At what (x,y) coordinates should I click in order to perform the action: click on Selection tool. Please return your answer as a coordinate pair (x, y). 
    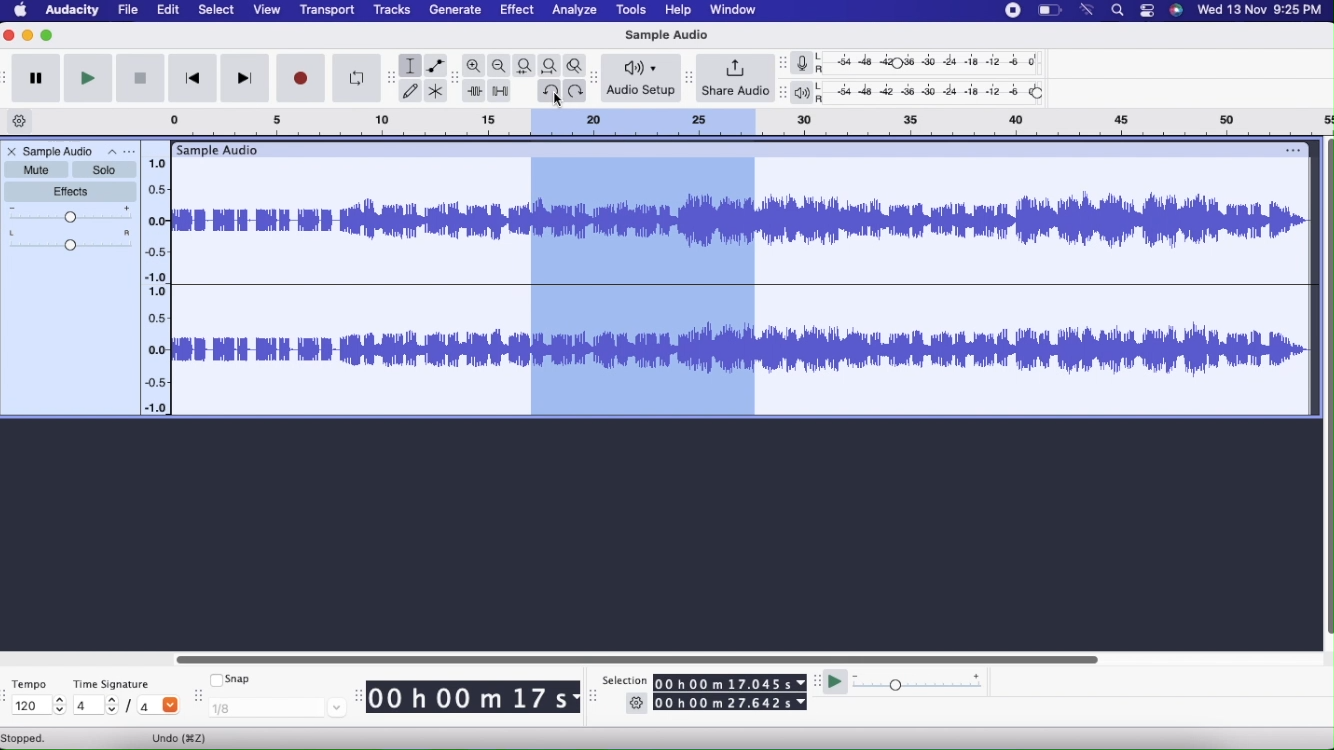
    Looking at the image, I should click on (410, 67).